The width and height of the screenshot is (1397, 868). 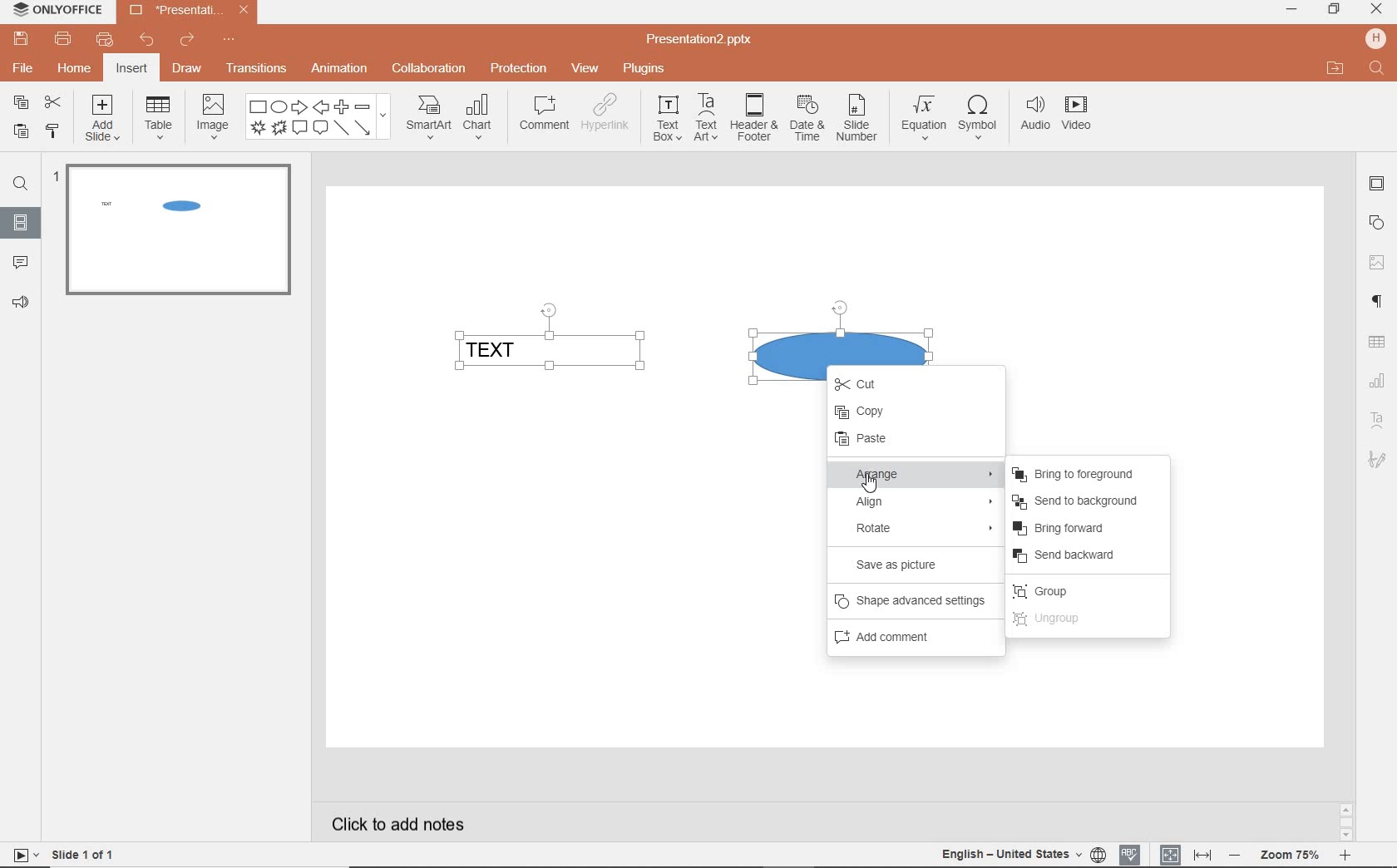 I want to click on plugins, so click(x=643, y=70).